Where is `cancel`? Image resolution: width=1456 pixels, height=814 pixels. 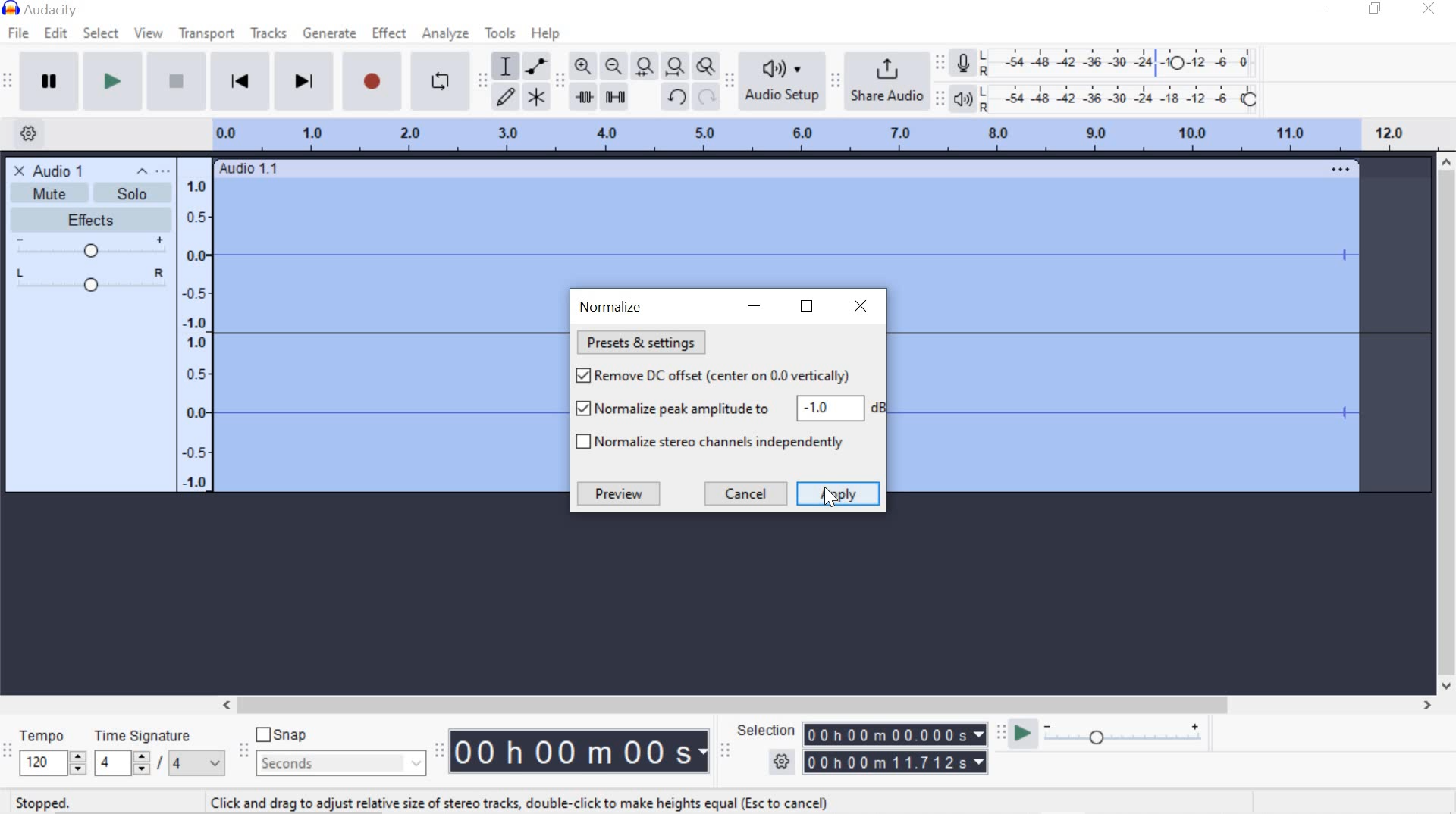
cancel is located at coordinates (748, 493).